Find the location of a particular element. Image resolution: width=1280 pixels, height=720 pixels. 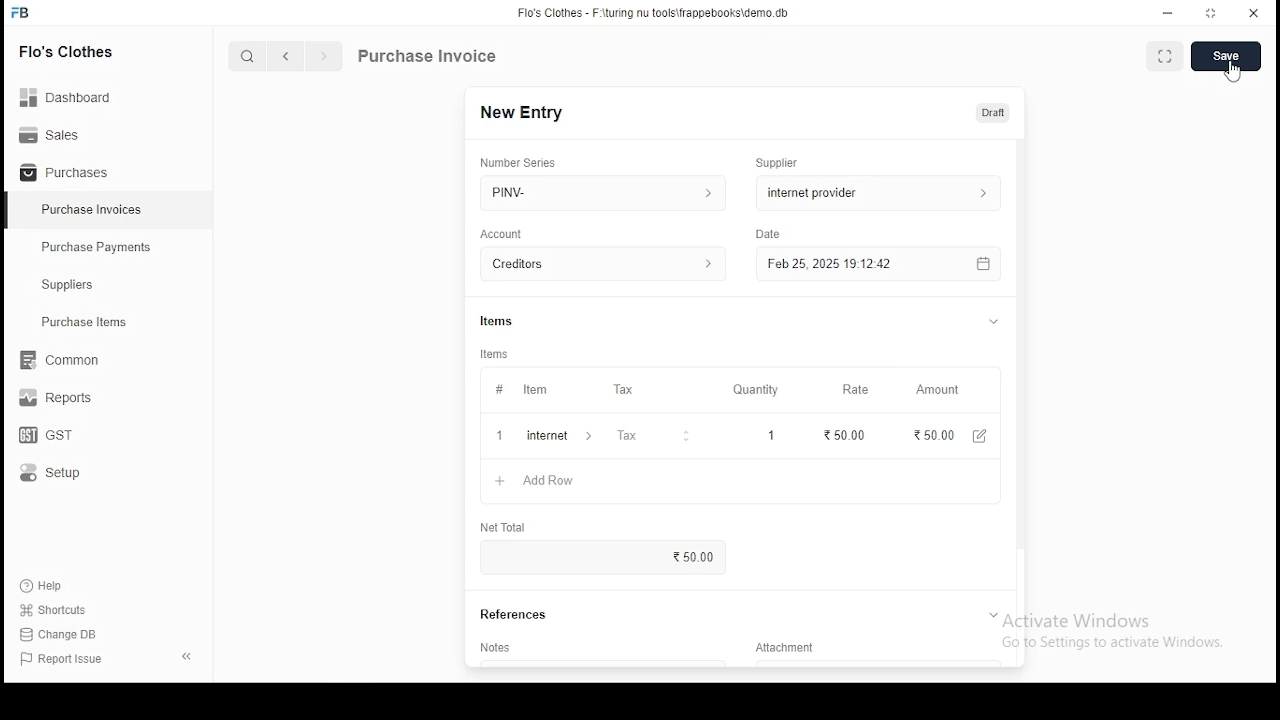

previous is located at coordinates (287, 57).